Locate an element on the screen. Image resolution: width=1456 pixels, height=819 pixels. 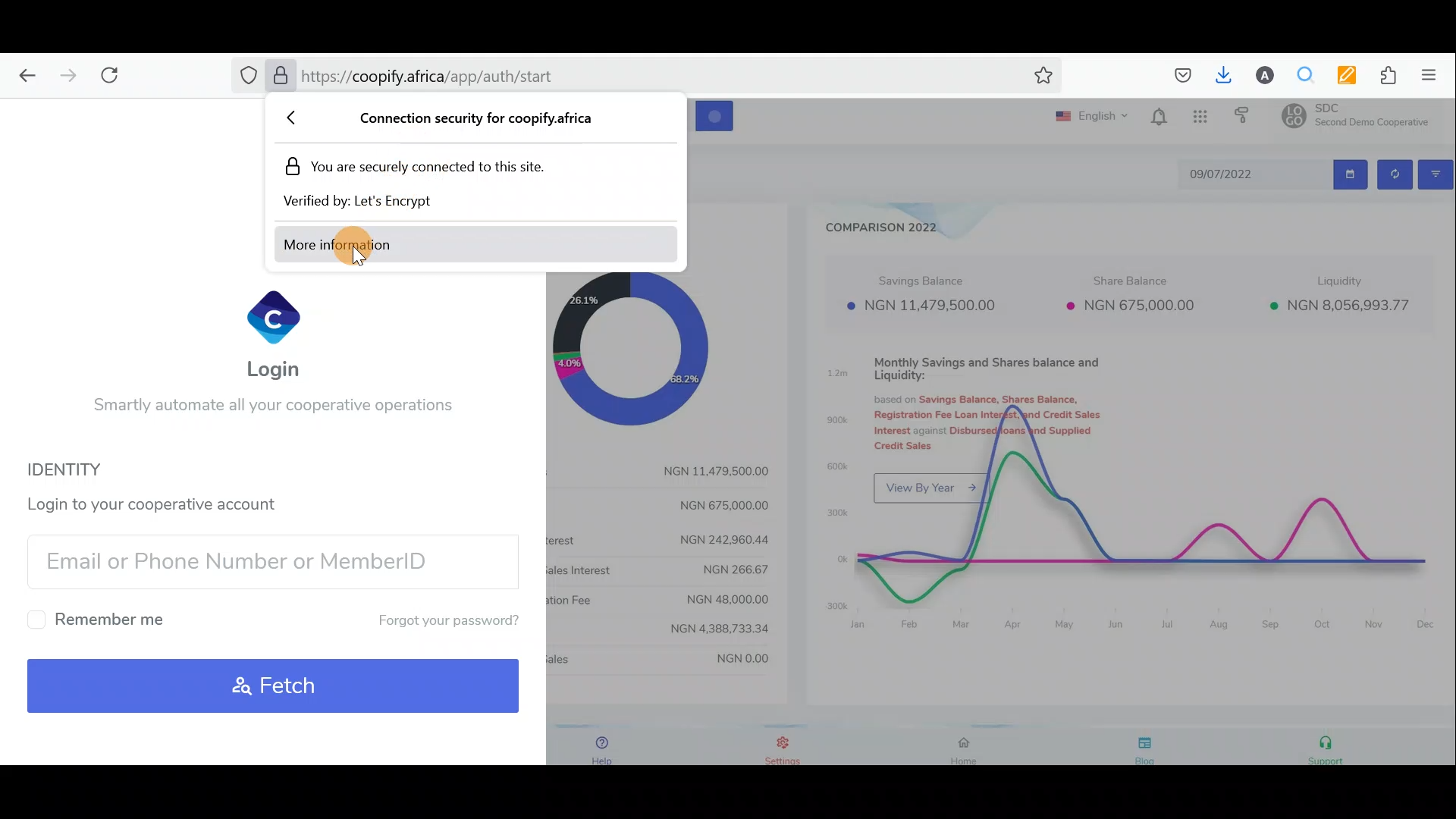
Save to pocket is located at coordinates (1177, 76).